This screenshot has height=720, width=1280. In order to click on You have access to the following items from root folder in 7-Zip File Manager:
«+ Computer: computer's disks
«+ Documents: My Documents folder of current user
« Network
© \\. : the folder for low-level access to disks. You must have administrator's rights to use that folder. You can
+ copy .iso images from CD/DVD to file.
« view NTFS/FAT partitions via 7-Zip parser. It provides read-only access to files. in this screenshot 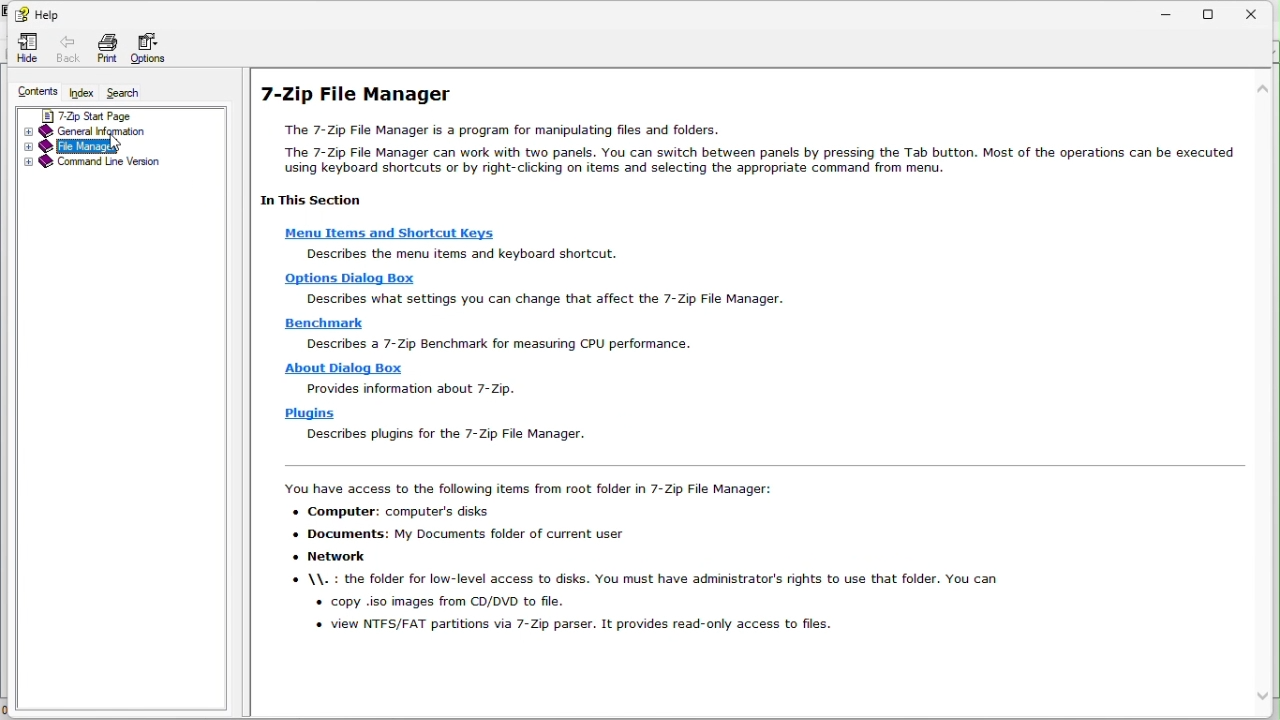, I will do `click(634, 564)`.